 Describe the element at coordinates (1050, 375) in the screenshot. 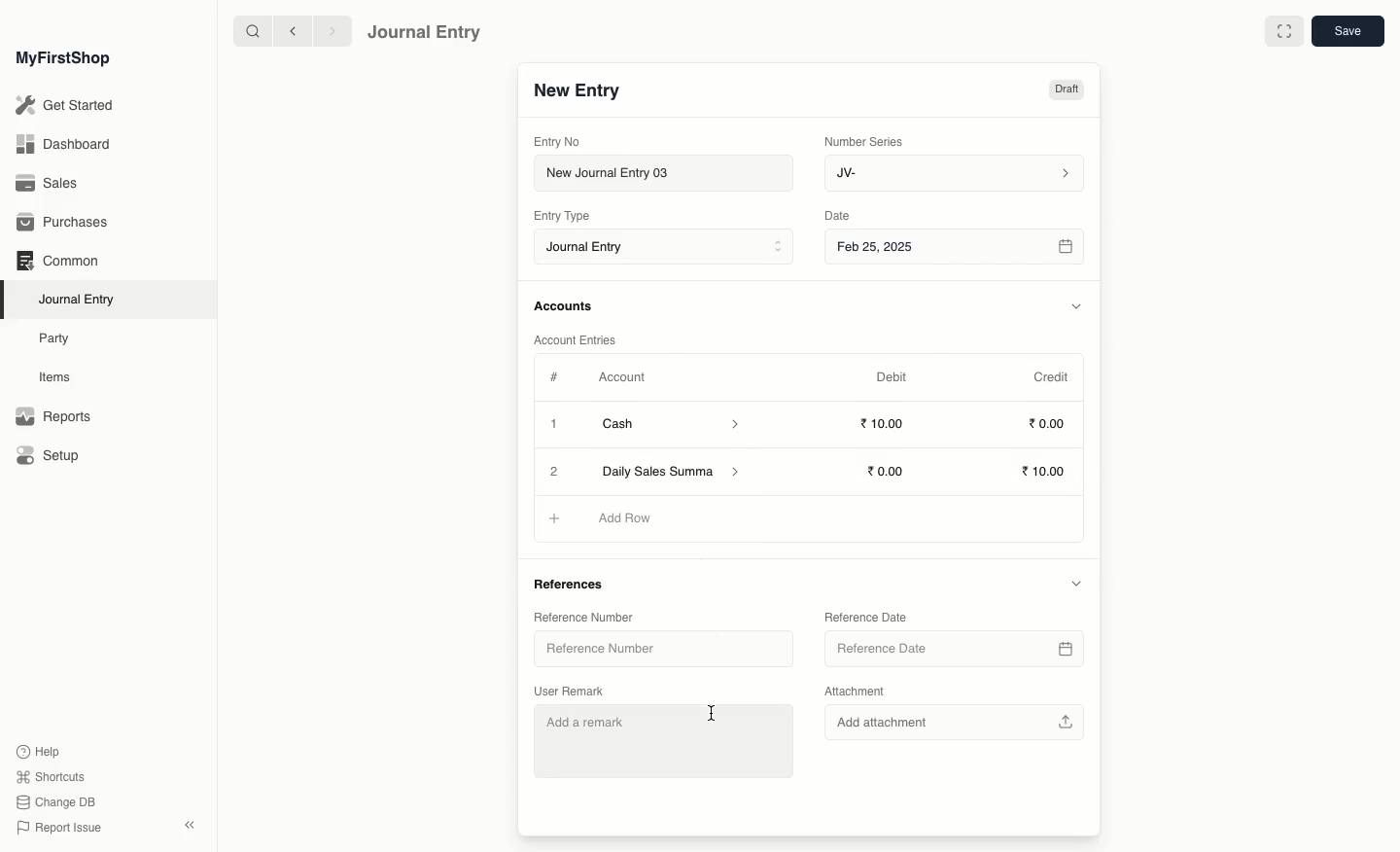

I see `Credit` at that location.